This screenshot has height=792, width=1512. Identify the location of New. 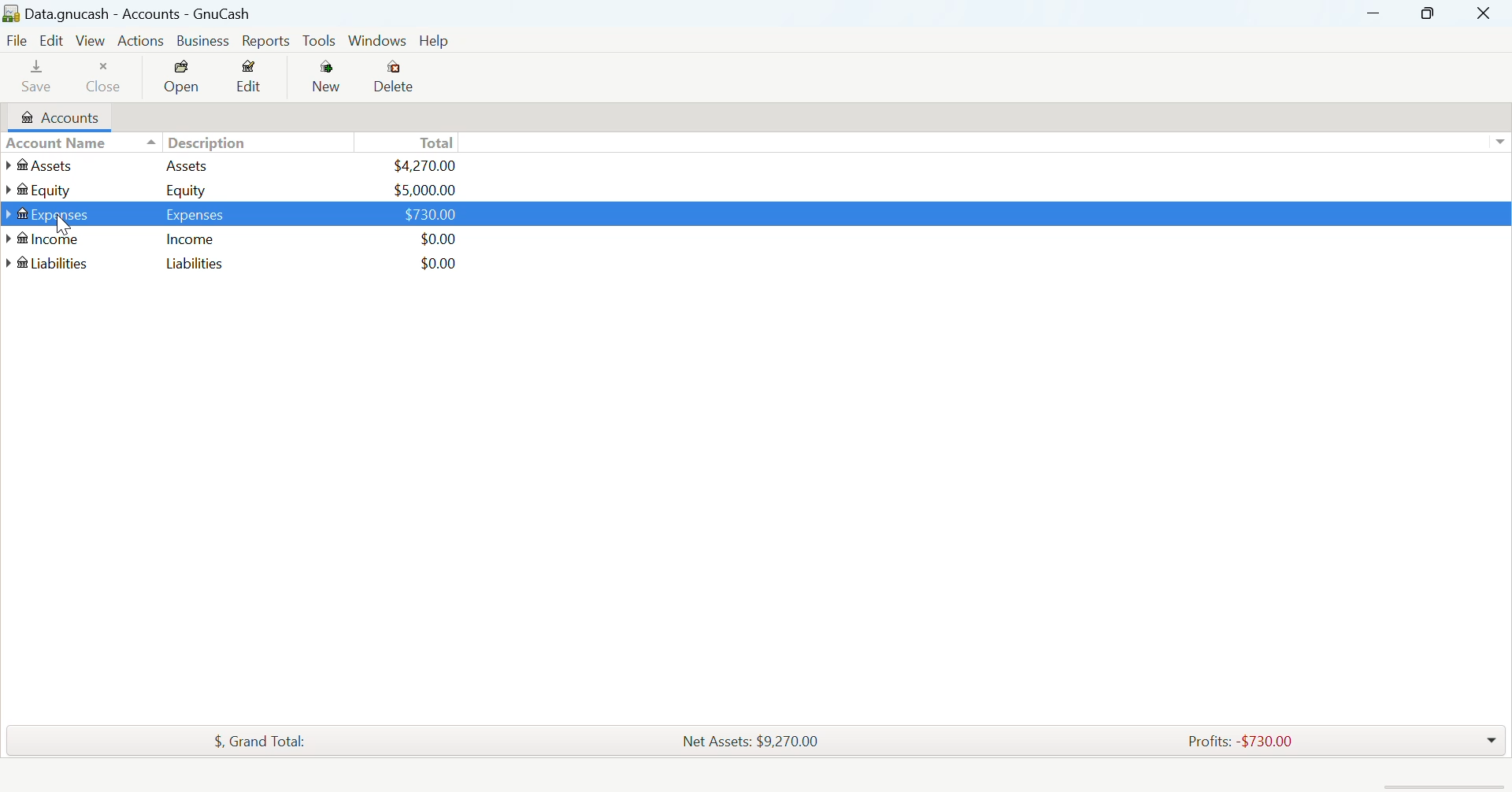
(329, 80).